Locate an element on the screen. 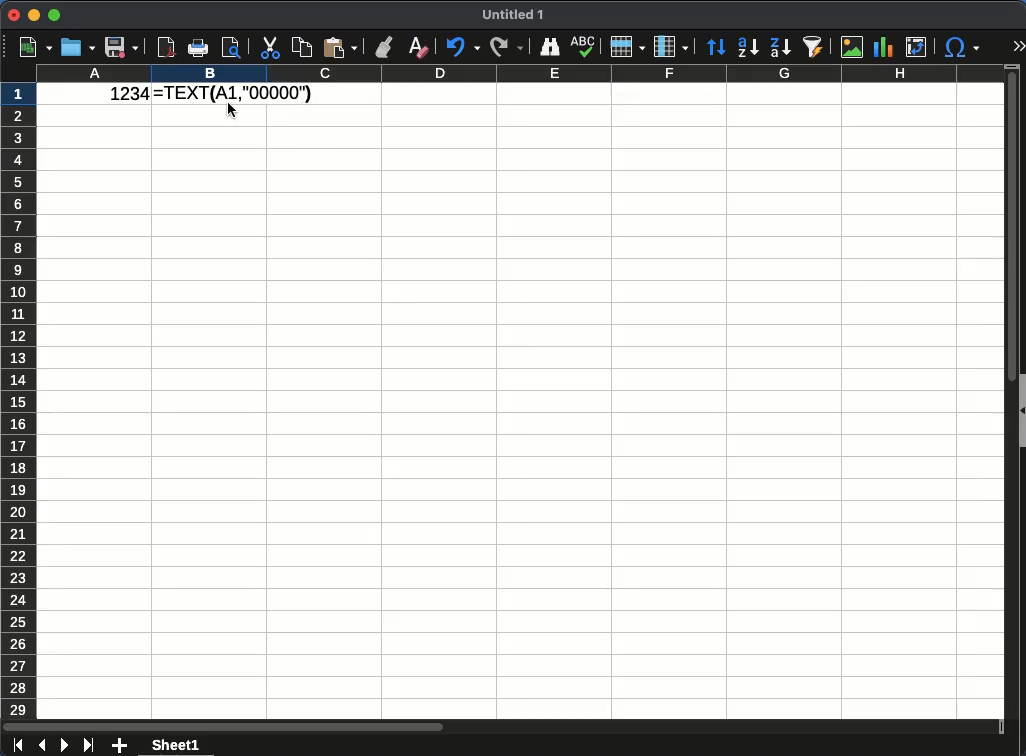 The image size is (1026, 756). scroll is located at coordinates (1009, 391).